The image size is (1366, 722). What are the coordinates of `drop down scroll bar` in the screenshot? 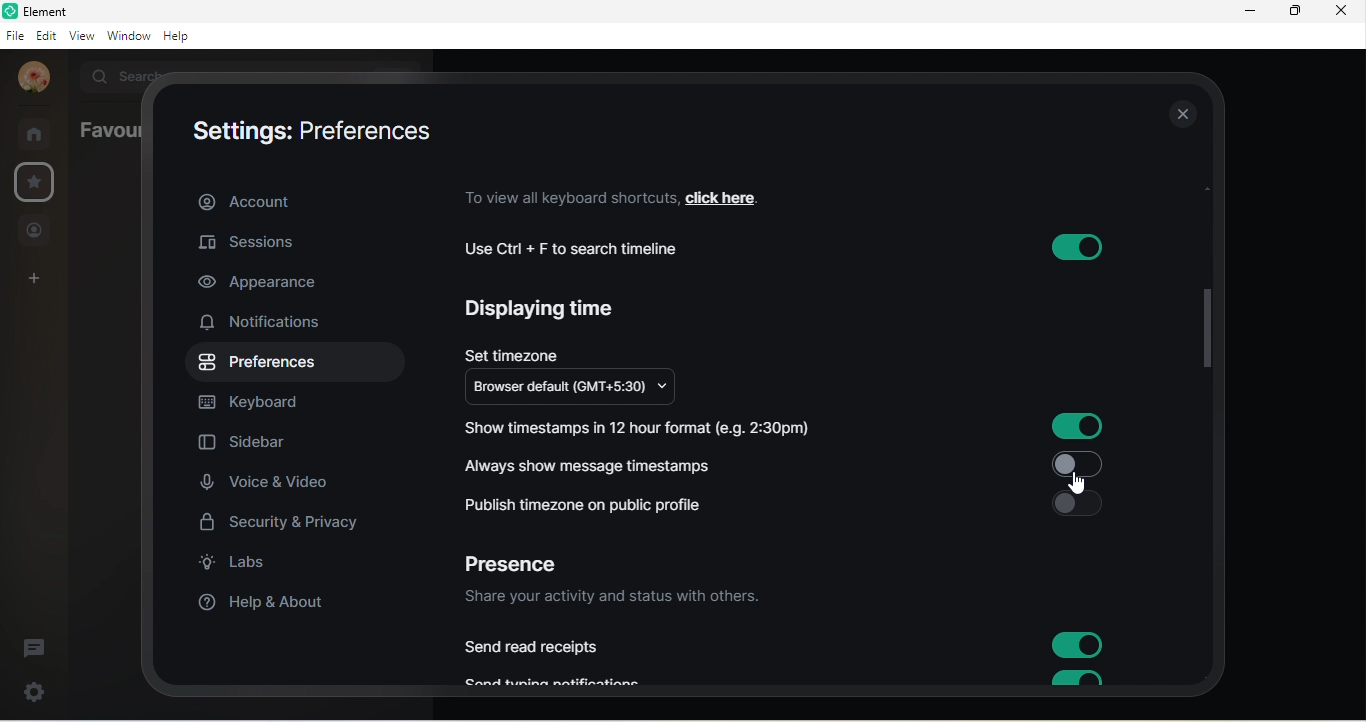 It's located at (1203, 325).